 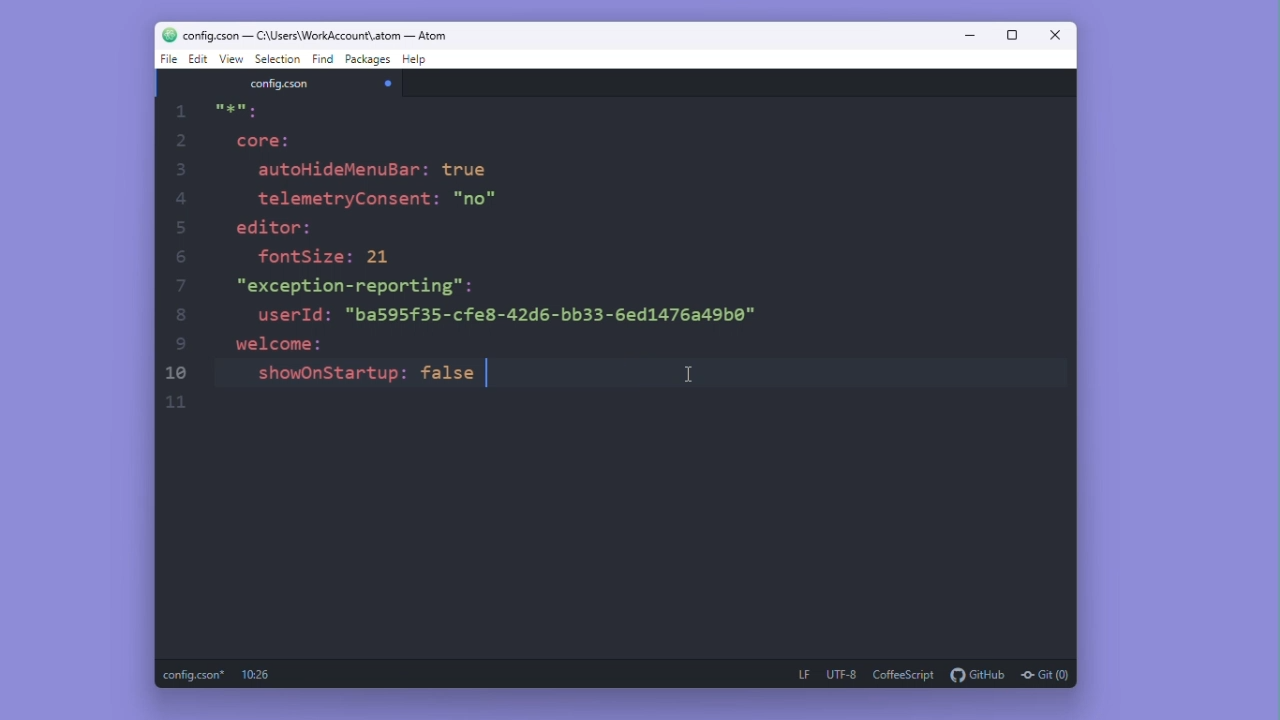 I want to click on coffeescript, so click(x=905, y=674).